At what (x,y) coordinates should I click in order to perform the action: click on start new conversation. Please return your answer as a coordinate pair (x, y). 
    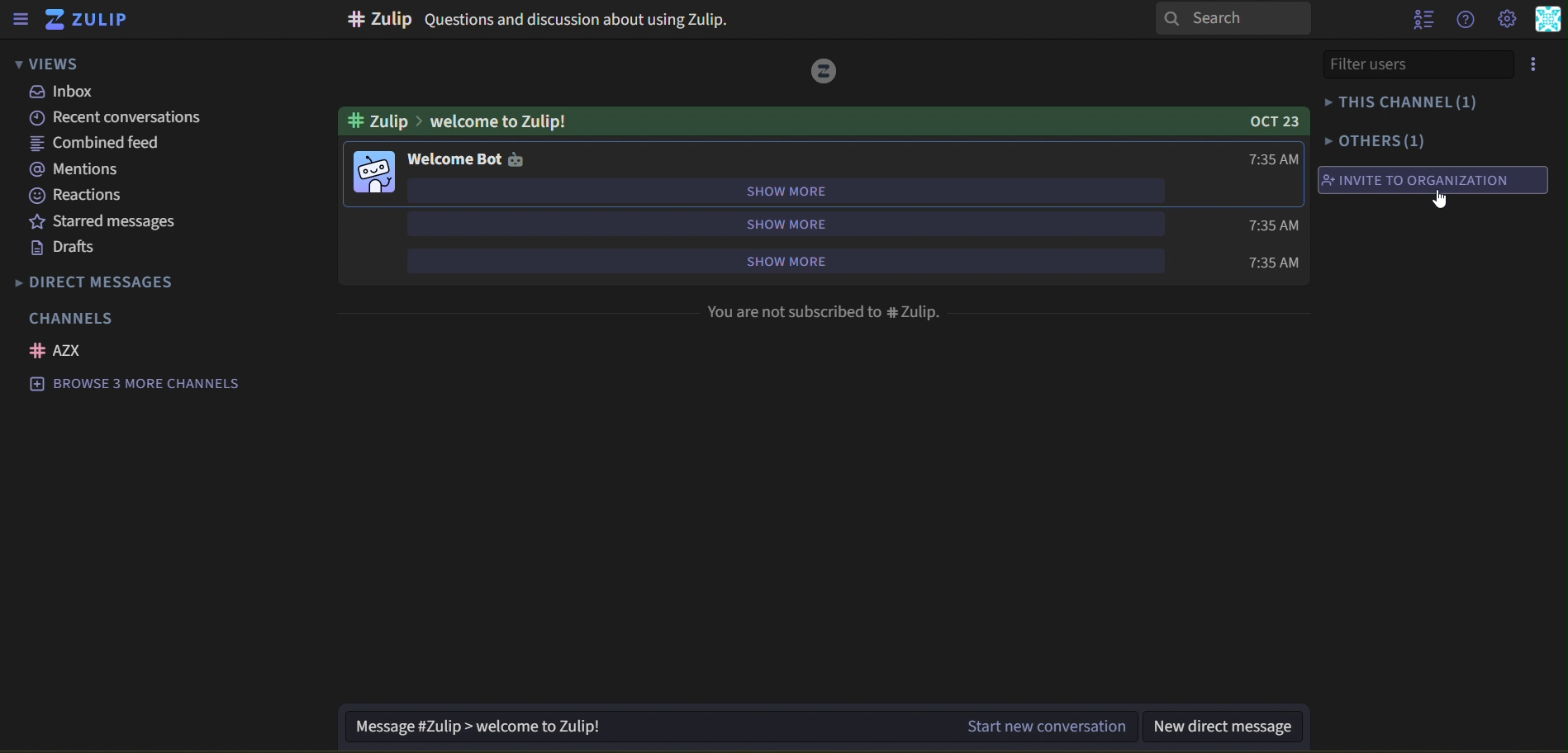
    Looking at the image, I should click on (738, 727).